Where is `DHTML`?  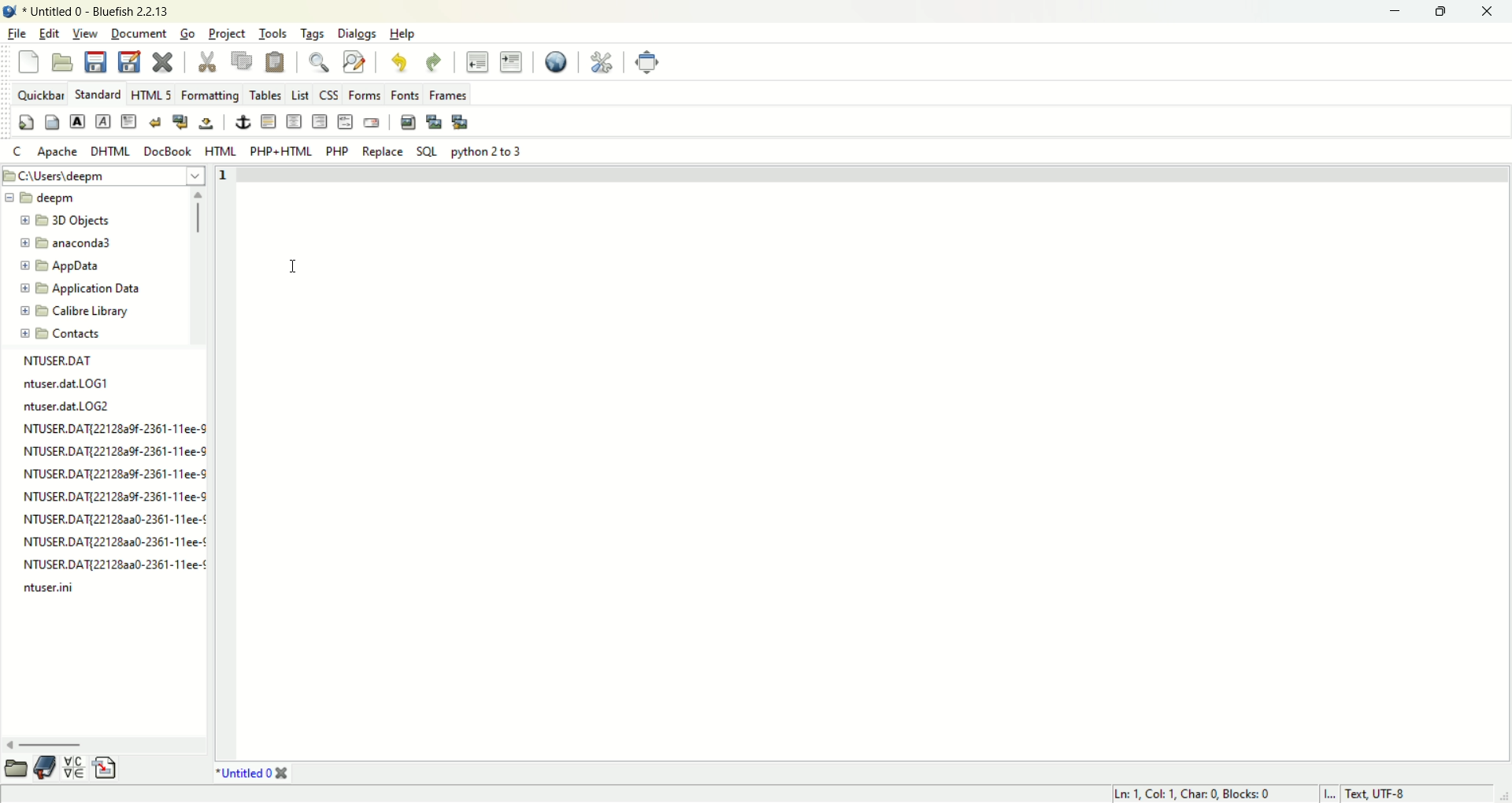
DHTML is located at coordinates (110, 153).